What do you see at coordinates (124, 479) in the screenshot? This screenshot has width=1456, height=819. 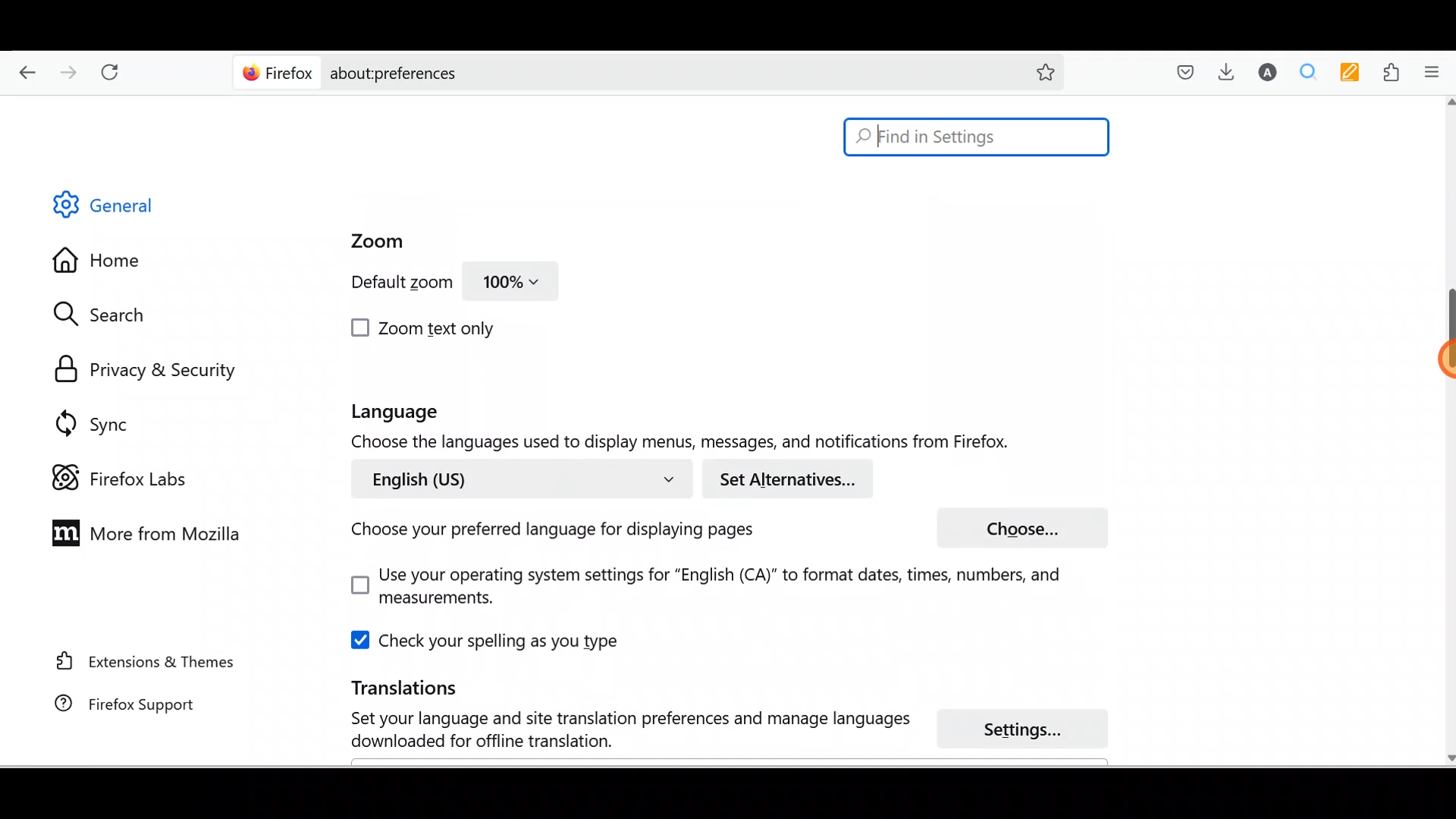 I see `Firefox labs` at bounding box center [124, 479].